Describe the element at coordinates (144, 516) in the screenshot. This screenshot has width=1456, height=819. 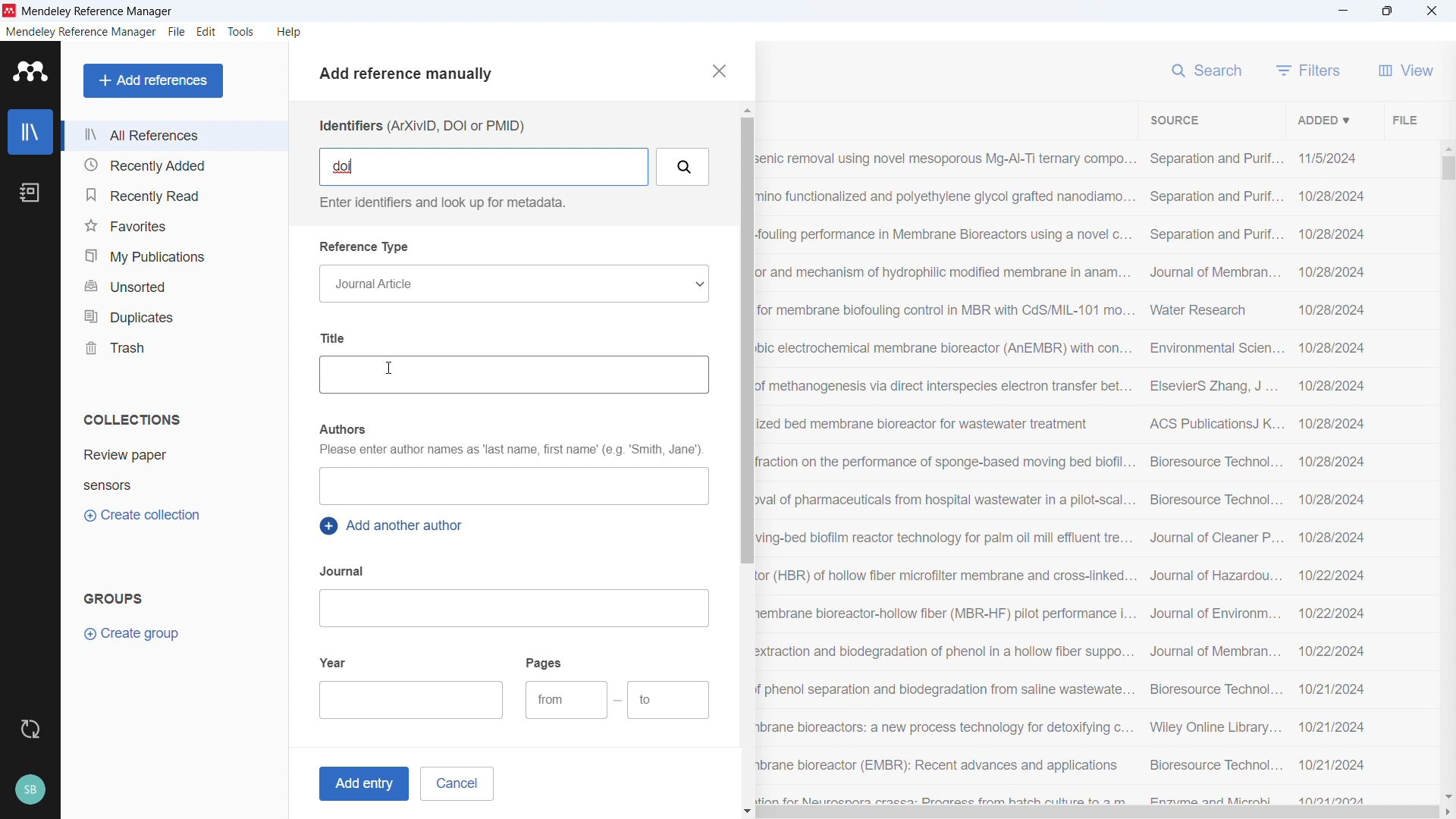
I see `Create collection ` at that location.